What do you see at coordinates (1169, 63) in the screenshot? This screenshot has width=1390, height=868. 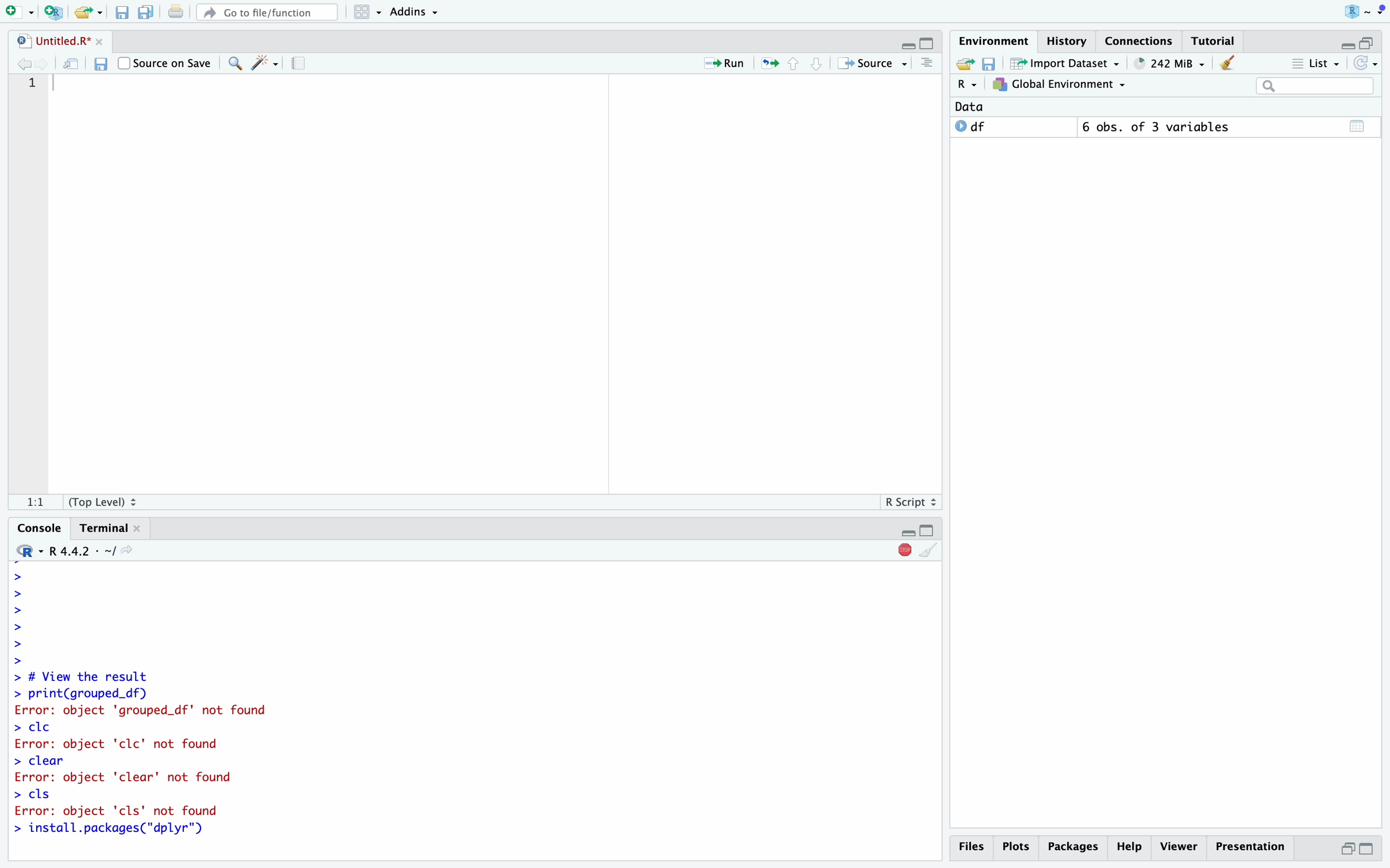 I see `248 MiB` at bounding box center [1169, 63].